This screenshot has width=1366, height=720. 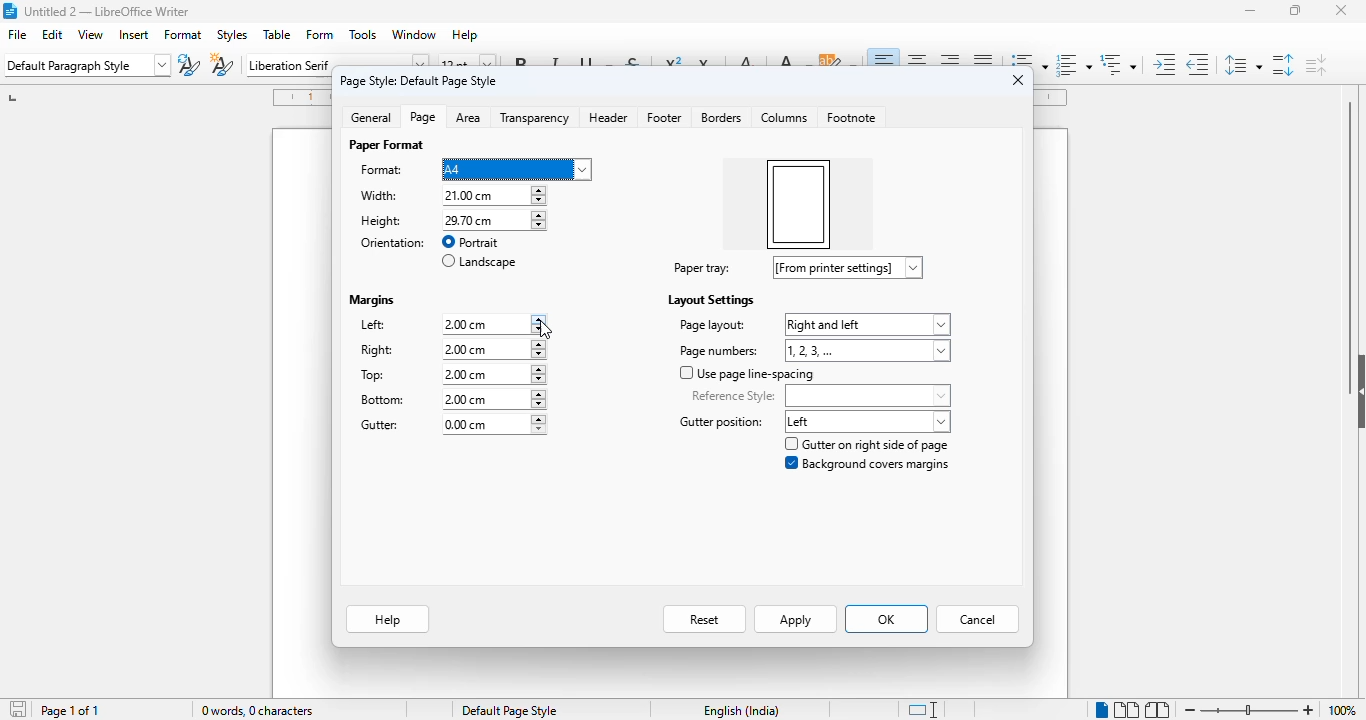 I want to click on format, so click(x=382, y=172).